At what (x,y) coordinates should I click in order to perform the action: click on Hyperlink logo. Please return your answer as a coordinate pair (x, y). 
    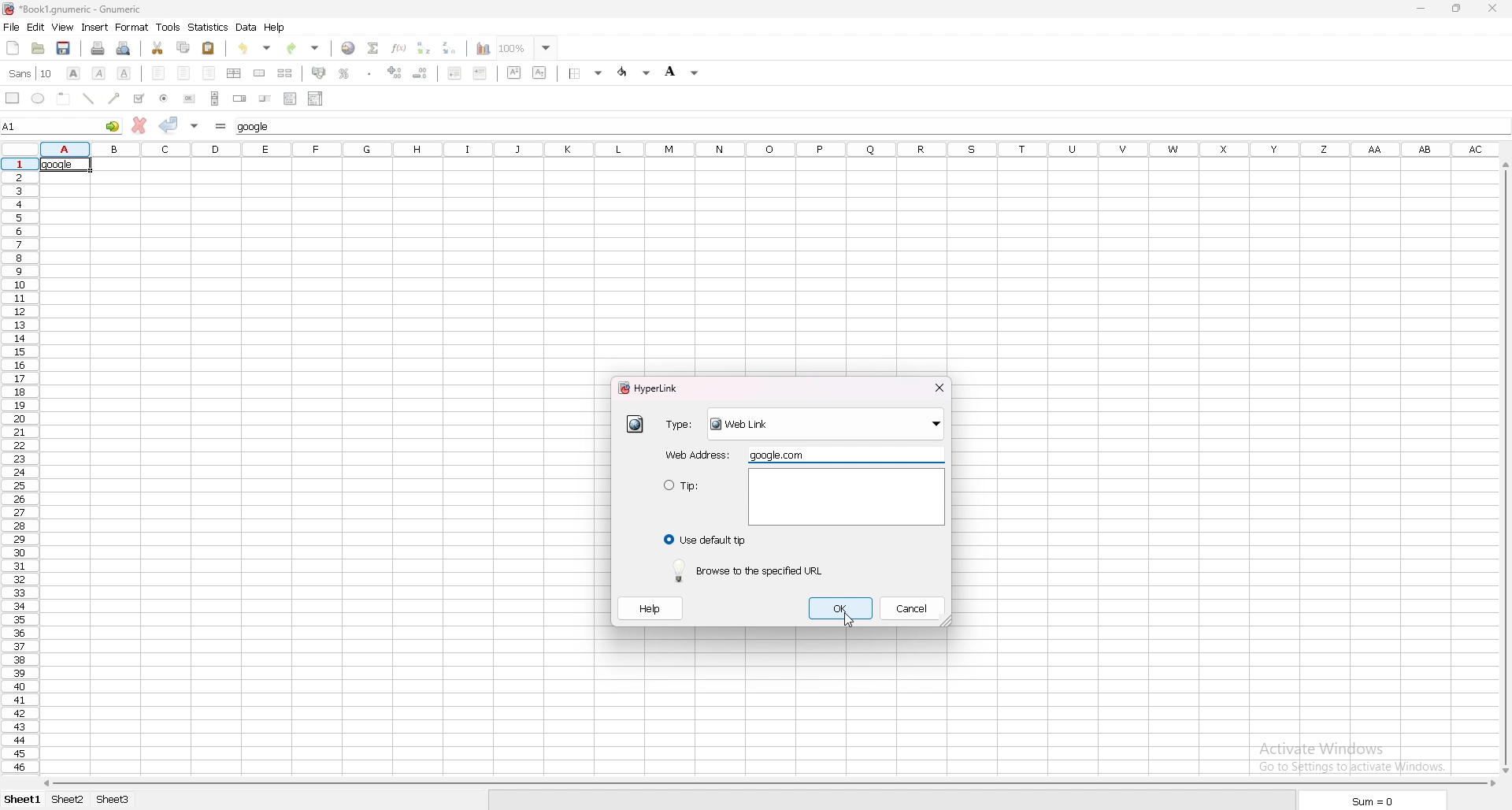
    Looking at the image, I should click on (9, 9).